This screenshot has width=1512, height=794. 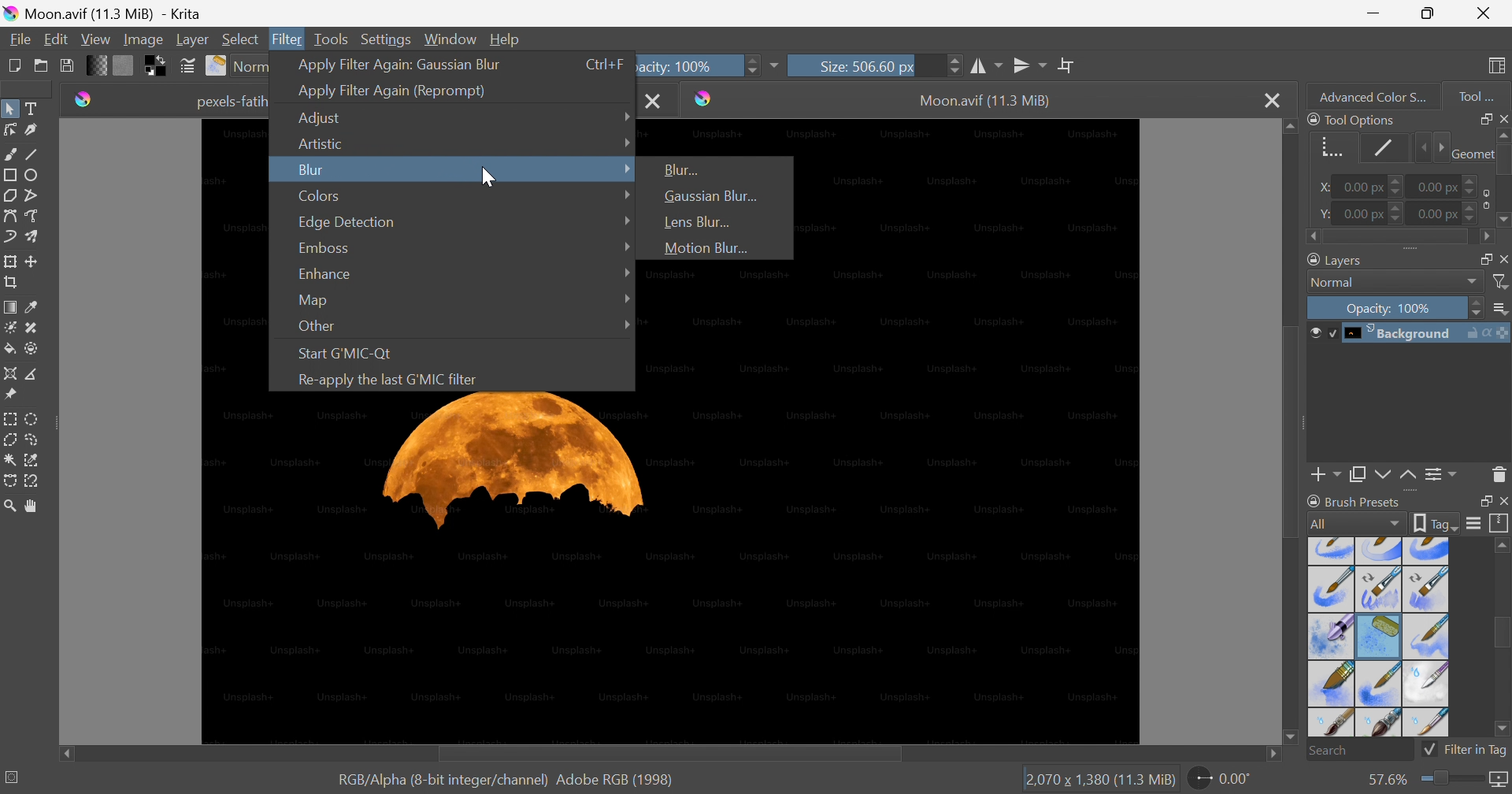 What do you see at coordinates (13, 393) in the screenshot?
I see `Reference Images tool` at bounding box center [13, 393].